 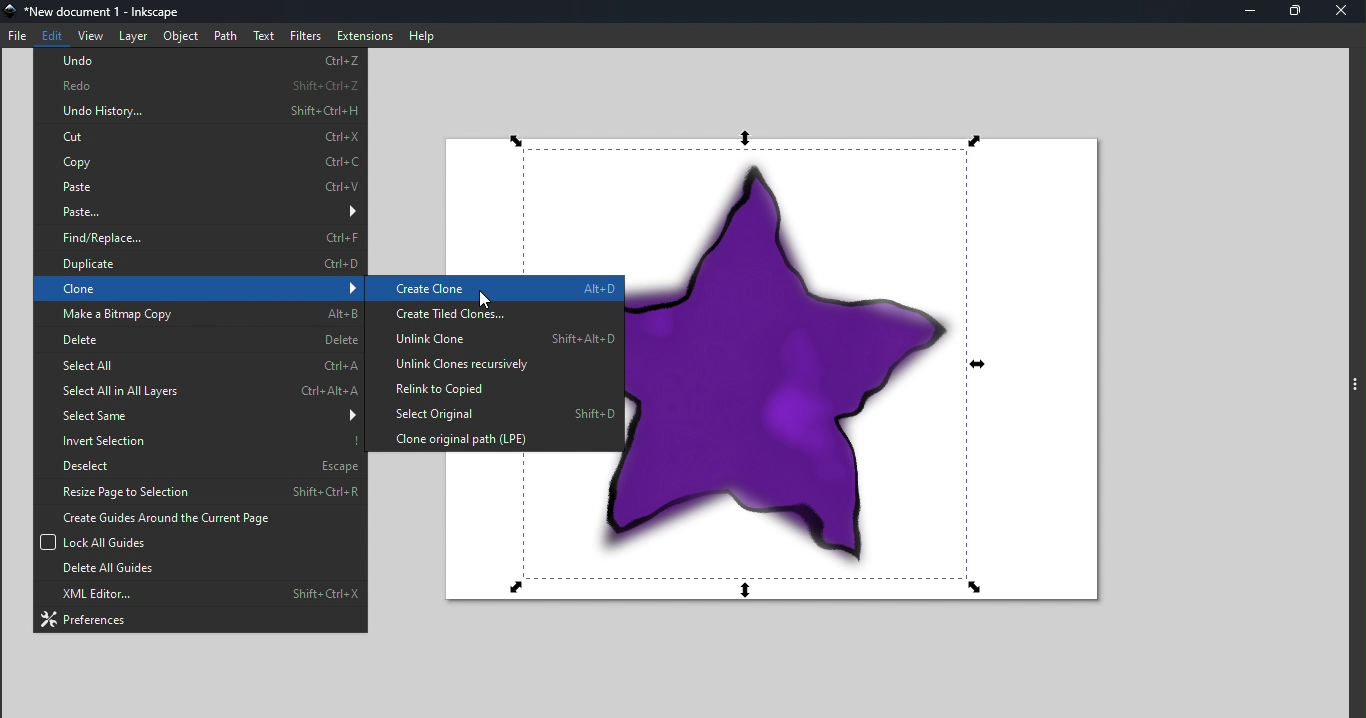 I want to click on cursor, so click(x=484, y=297).